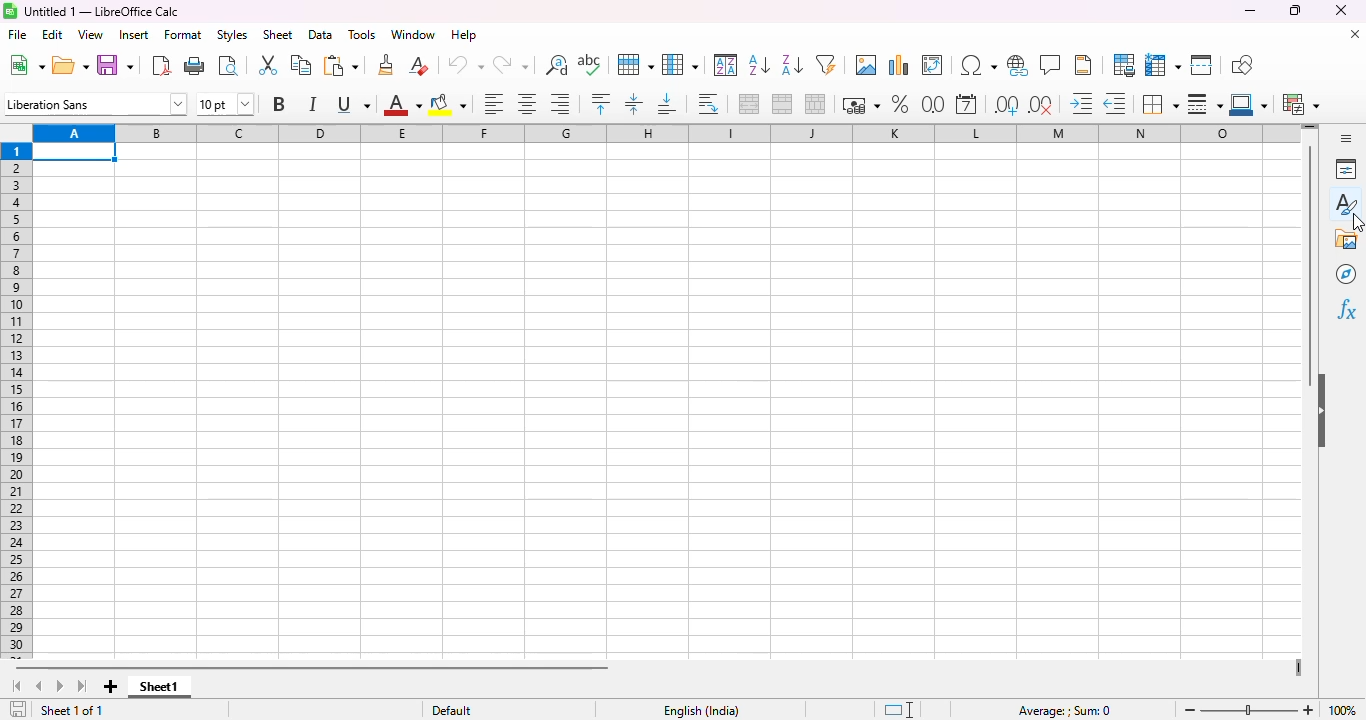 This screenshot has height=720, width=1366. I want to click on underline, so click(353, 105).